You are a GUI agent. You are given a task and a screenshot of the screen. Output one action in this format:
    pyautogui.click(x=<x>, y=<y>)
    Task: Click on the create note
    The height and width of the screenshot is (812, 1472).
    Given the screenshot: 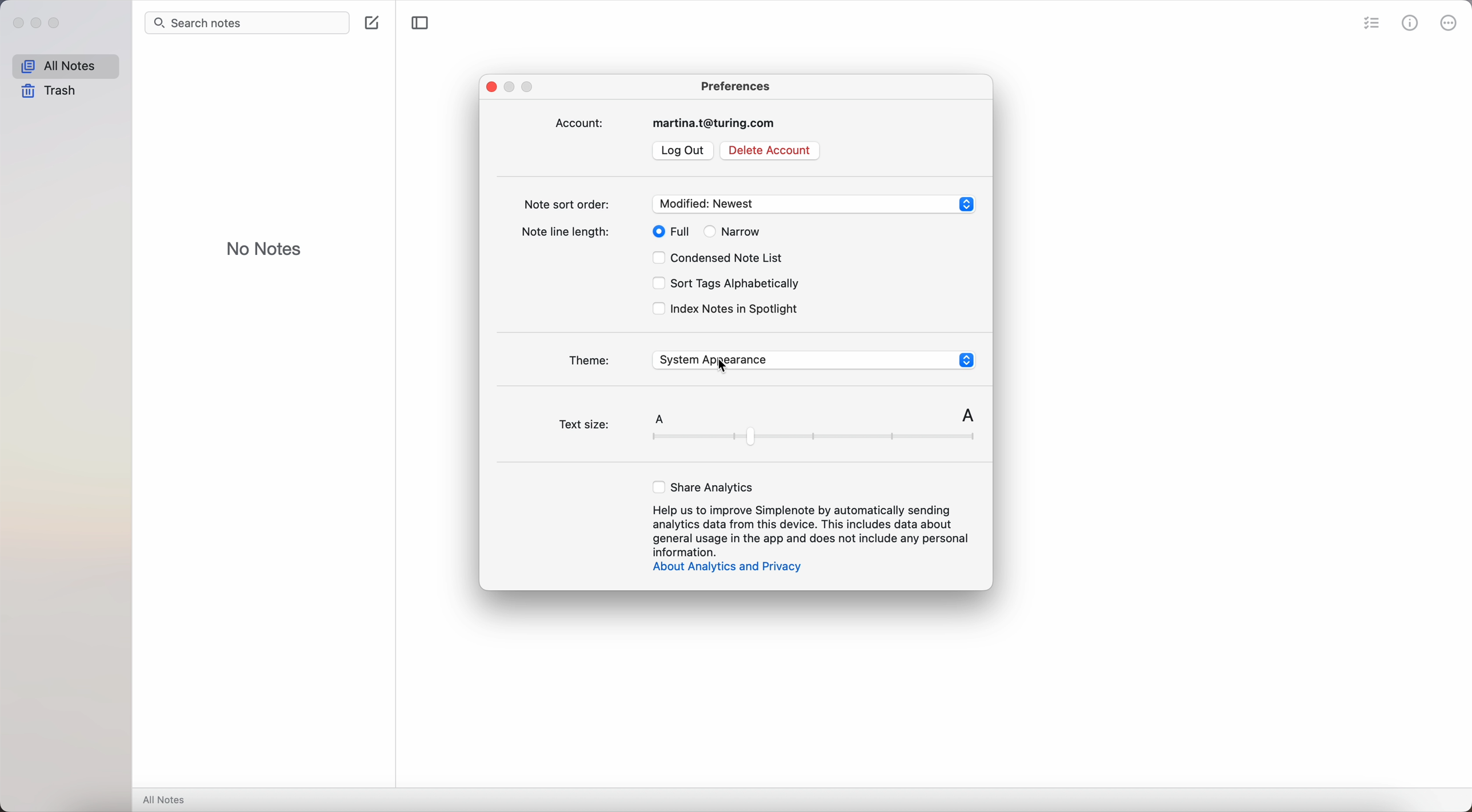 What is the action you would take?
    pyautogui.click(x=372, y=22)
    